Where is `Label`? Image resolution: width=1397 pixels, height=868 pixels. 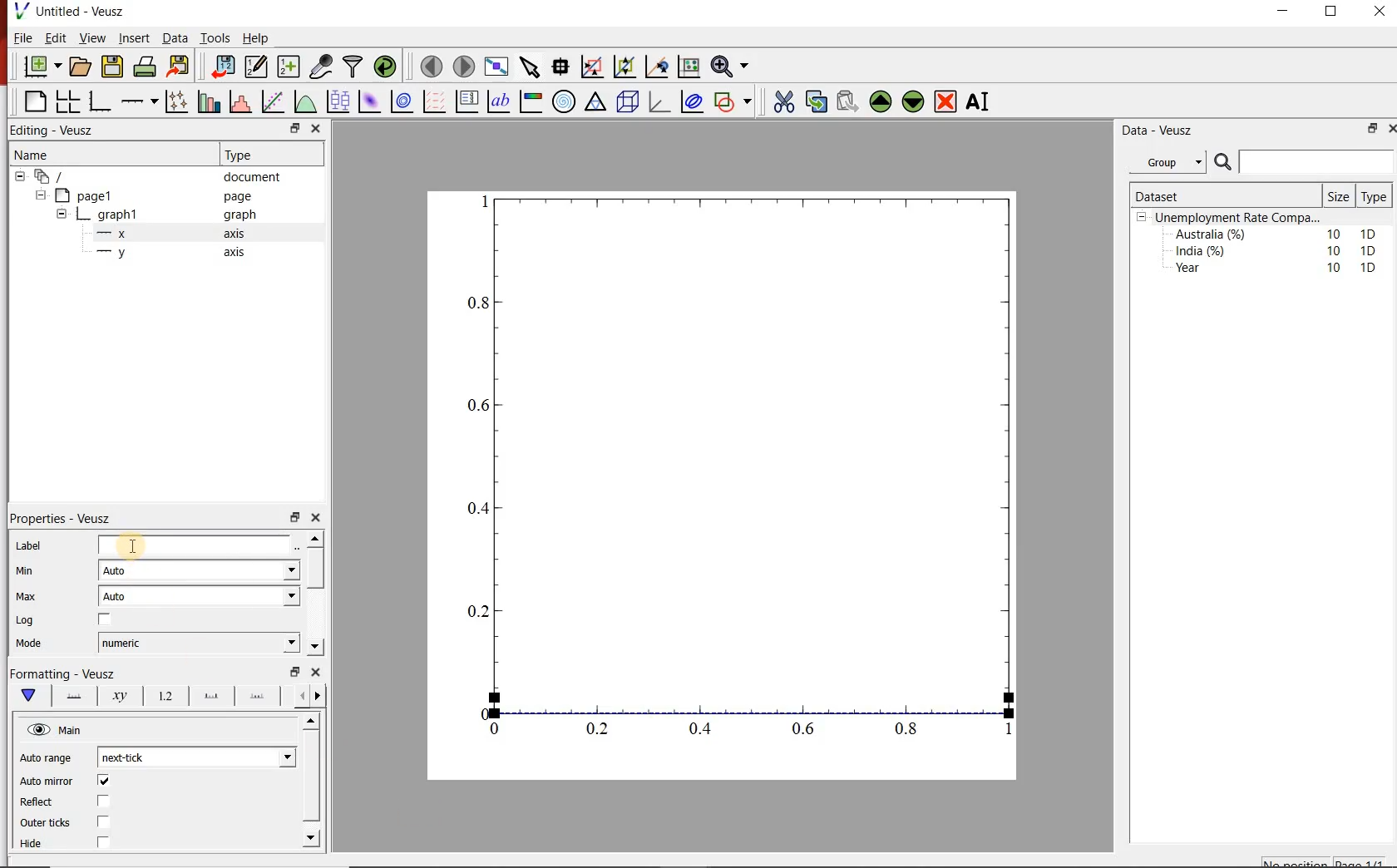
Label is located at coordinates (29, 547).